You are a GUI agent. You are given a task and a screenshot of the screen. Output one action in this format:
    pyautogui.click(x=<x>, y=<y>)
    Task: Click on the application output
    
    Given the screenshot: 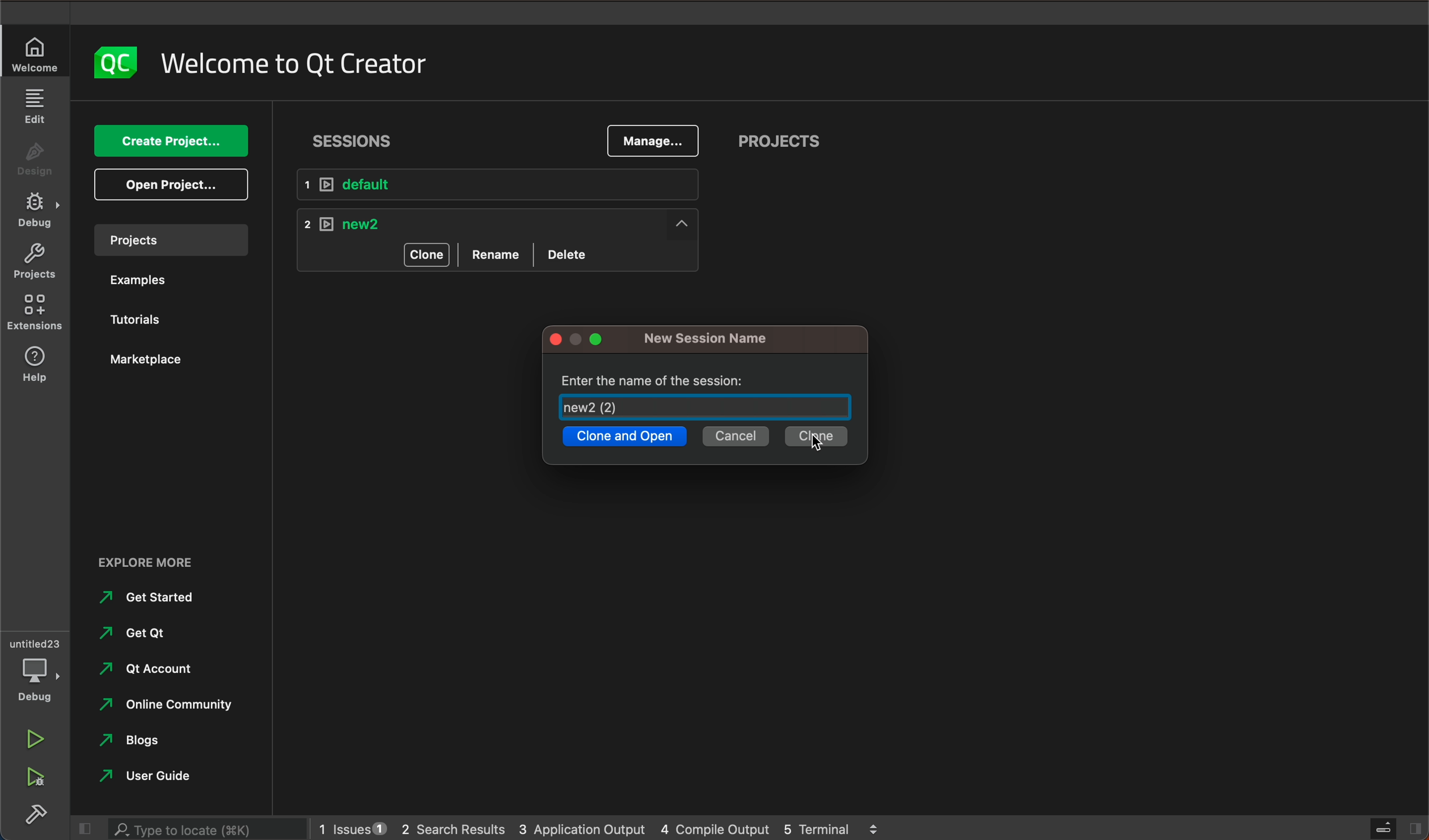 What is the action you would take?
    pyautogui.click(x=581, y=825)
    